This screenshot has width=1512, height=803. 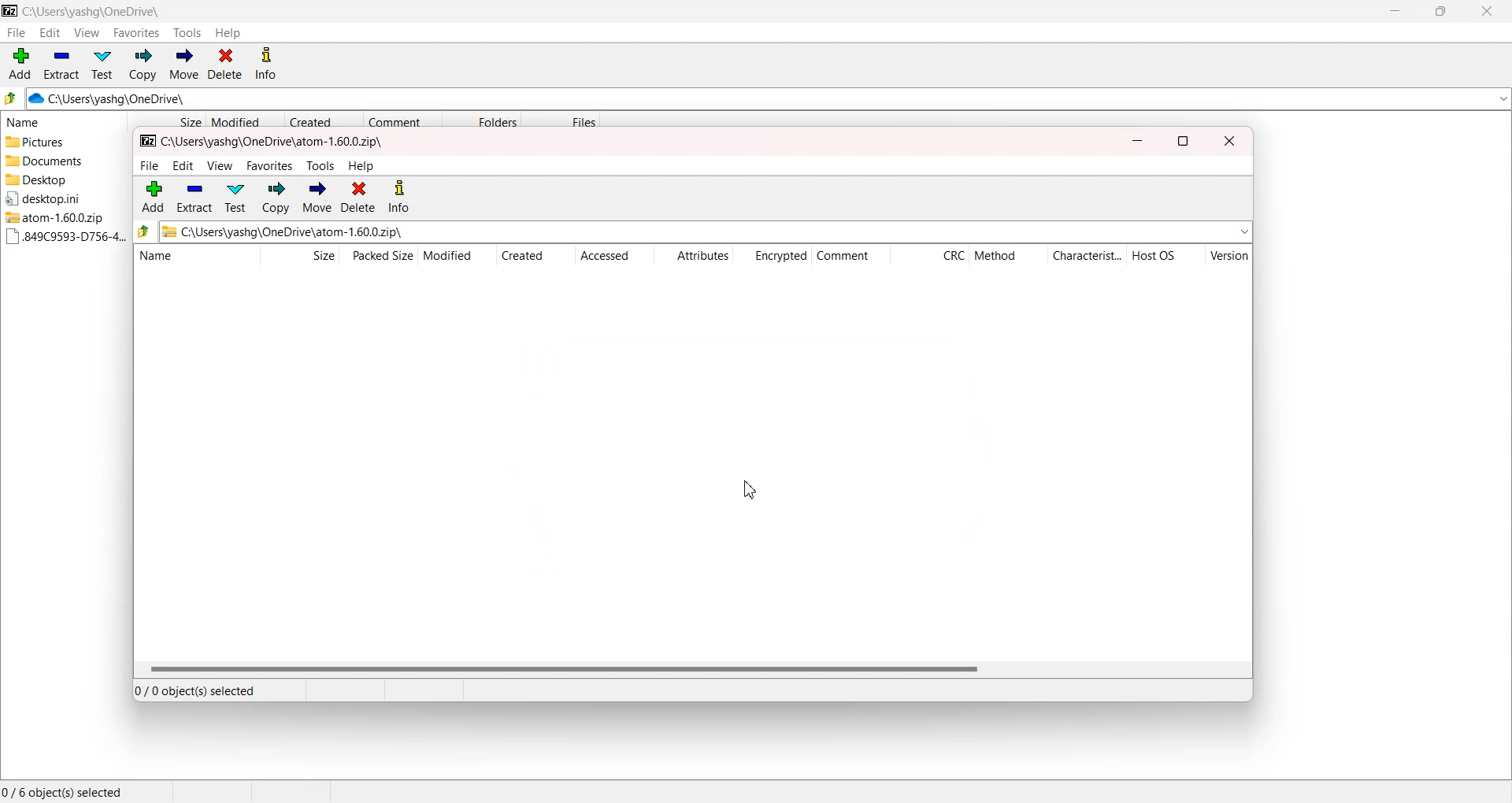 What do you see at coordinates (60, 179) in the screenshot?
I see `Desktop File` at bounding box center [60, 179].